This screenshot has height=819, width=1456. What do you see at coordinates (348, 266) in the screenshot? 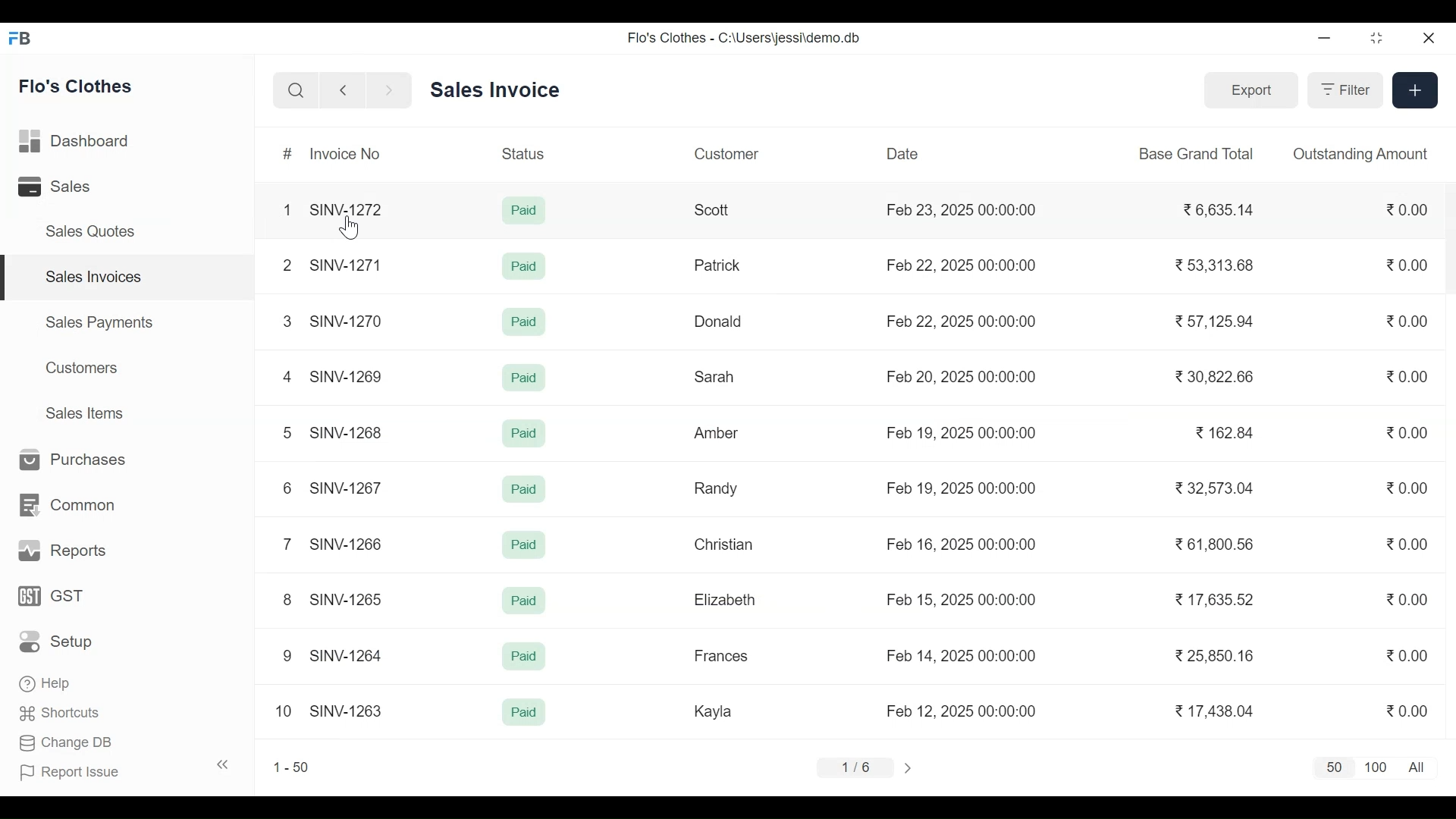
I see `SINV-1271` at bounding box center [348, 266].